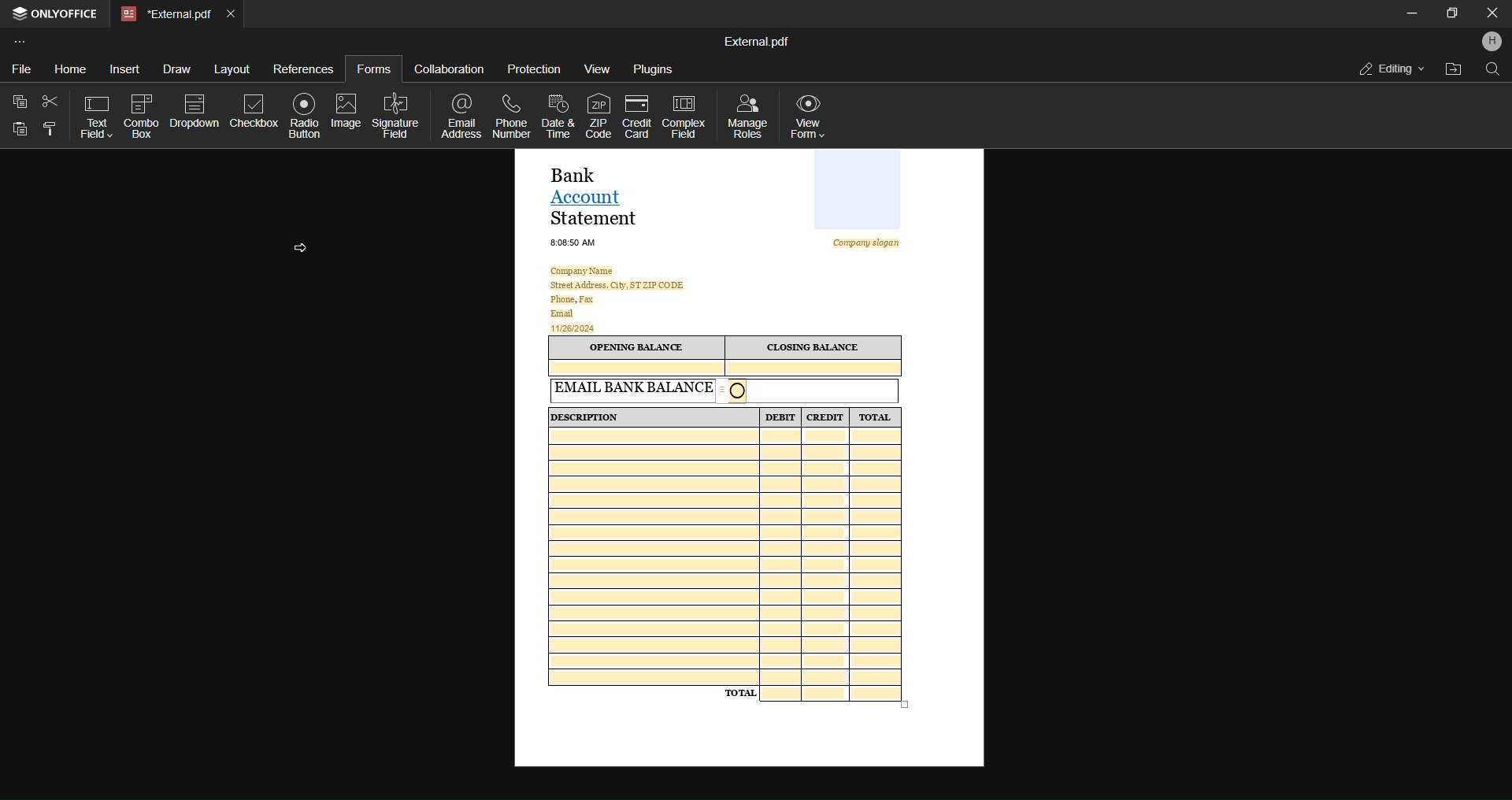 The width and height of the screenshot is (1512, 800). What do you see at coordinates (346, 111) in the screenshot?
I see `image` at bounding box center [346, 111].